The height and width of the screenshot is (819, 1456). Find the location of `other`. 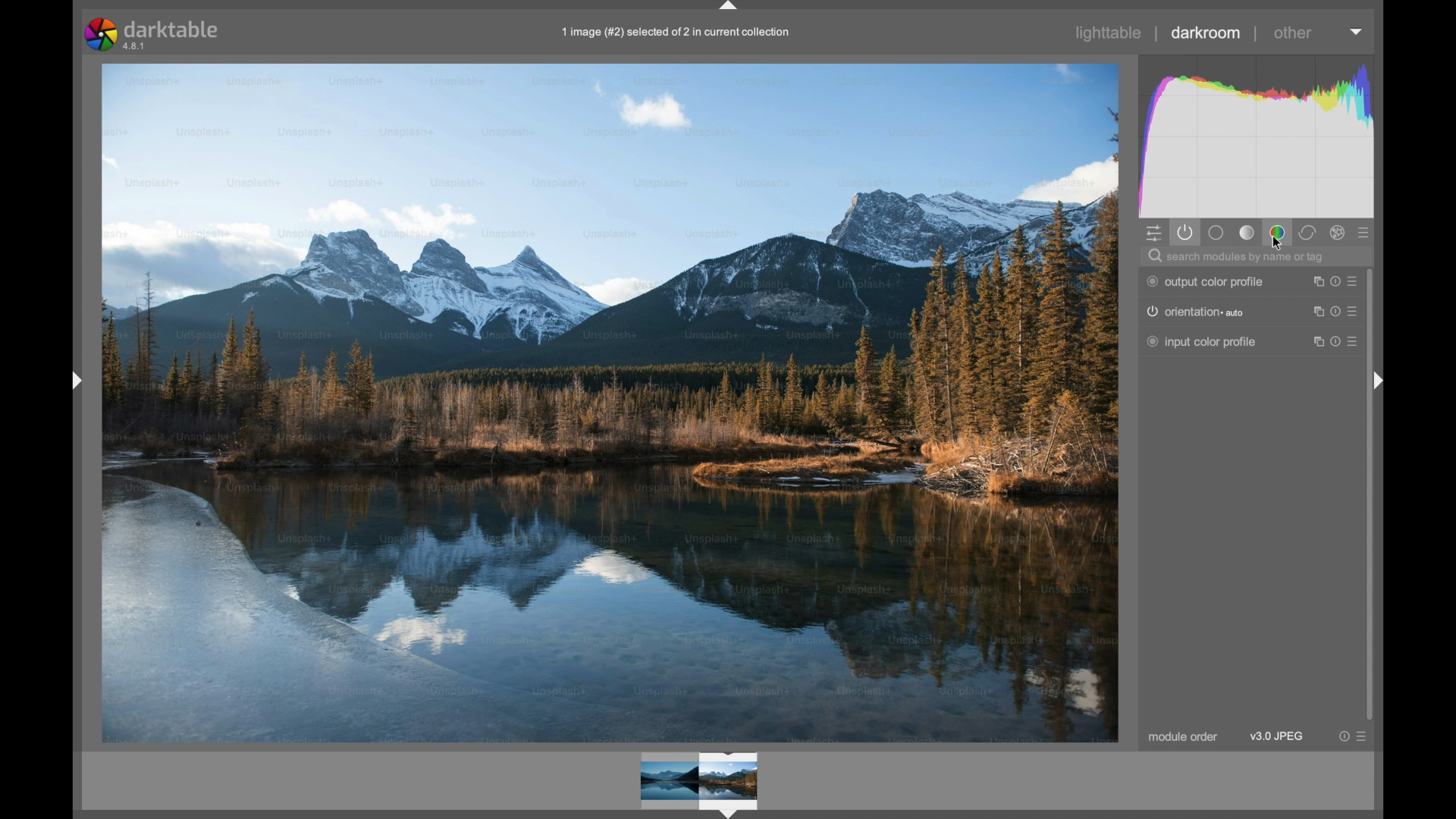

other is located at coordinates (1294, 33).